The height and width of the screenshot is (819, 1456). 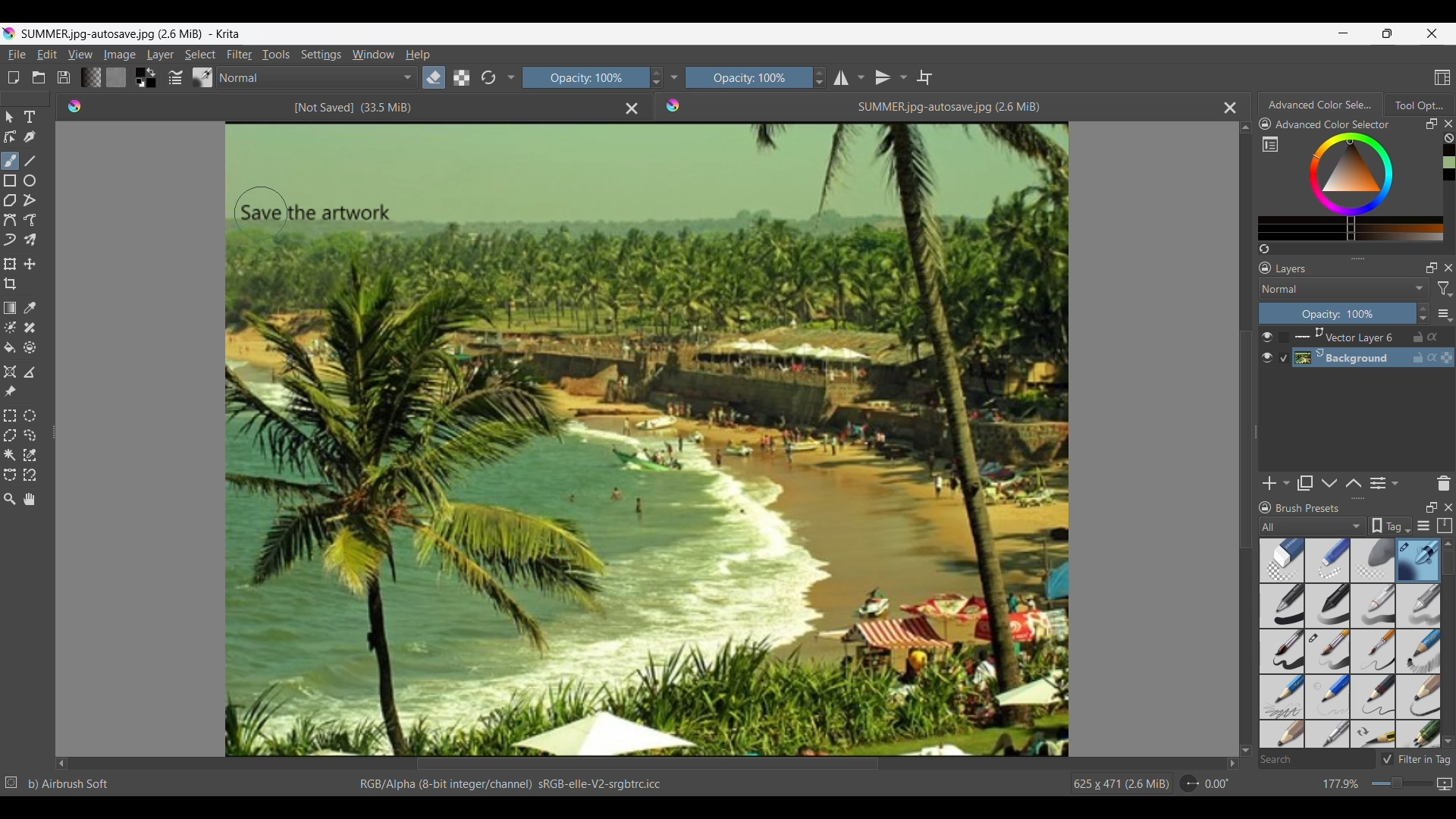 I want to click on Polygon tool, so click(x=11, y=200).